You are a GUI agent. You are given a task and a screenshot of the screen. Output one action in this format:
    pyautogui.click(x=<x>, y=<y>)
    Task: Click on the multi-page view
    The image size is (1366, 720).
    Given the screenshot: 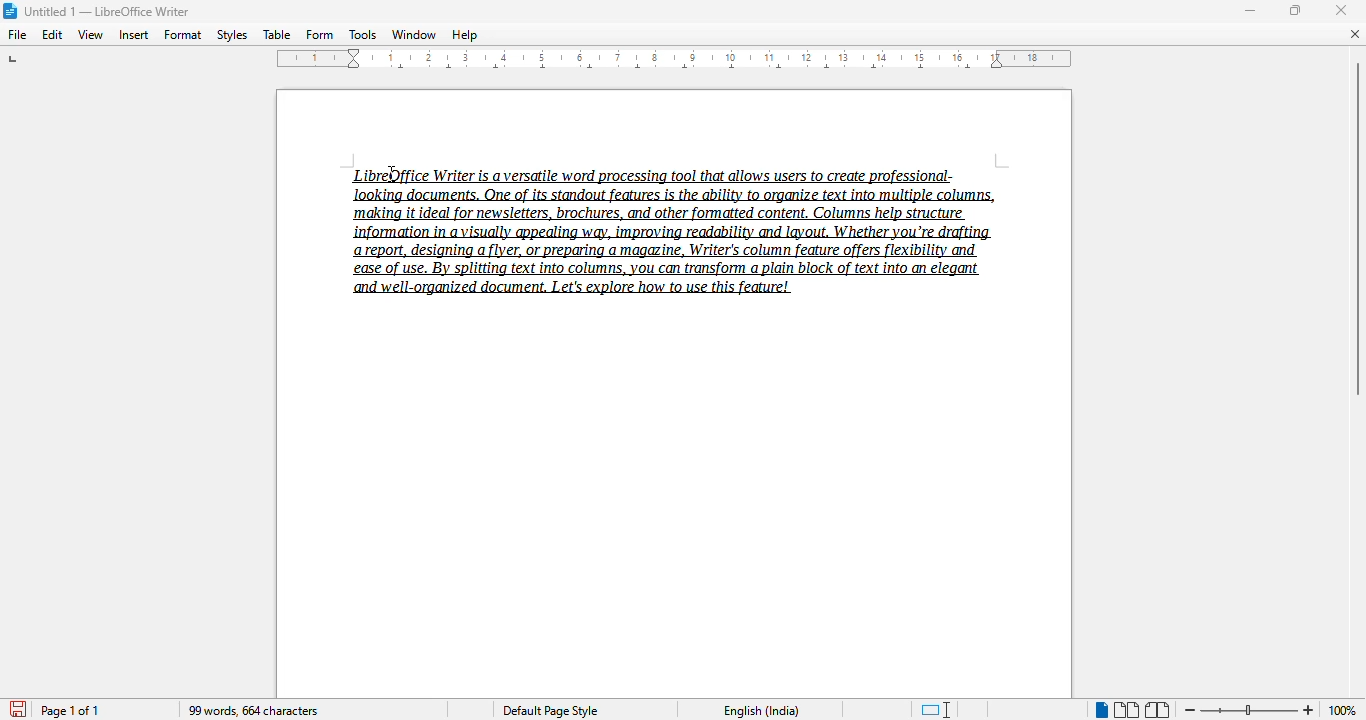 What is the action you would take?
    pyautogui.click(x=1125, y=709)
    